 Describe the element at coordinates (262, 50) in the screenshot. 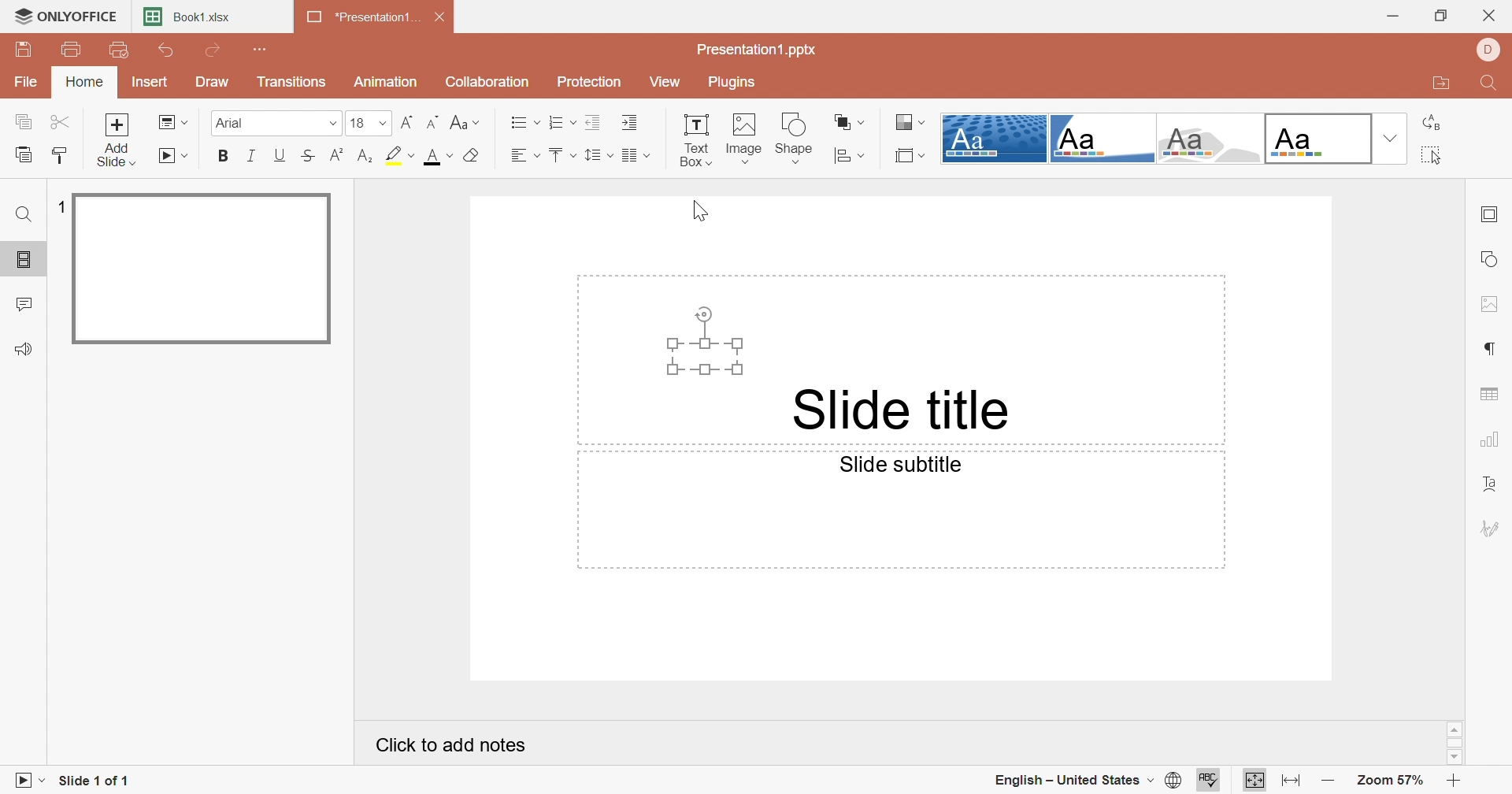

I see `Customize Quick Access Toolbar` at that location.